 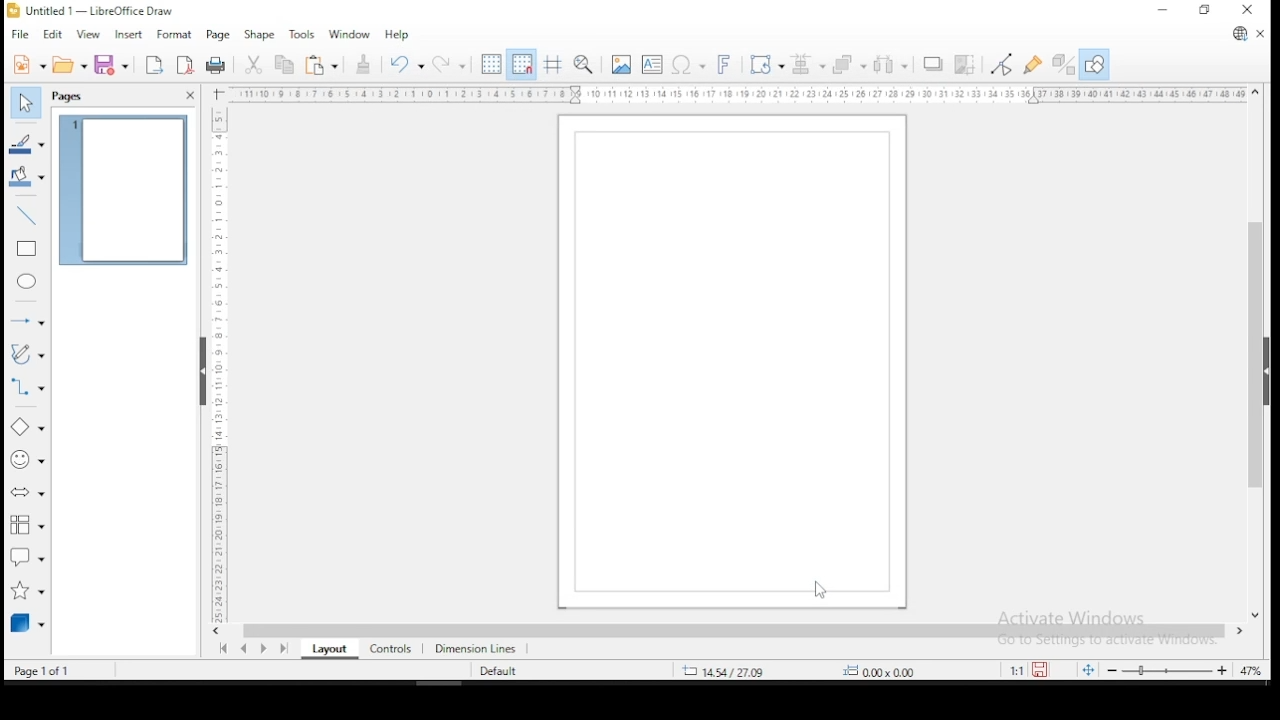 What do you see at coordinates (28, 496) in the screenshot?
I see `block arrows` at bounding box center [28, 496].